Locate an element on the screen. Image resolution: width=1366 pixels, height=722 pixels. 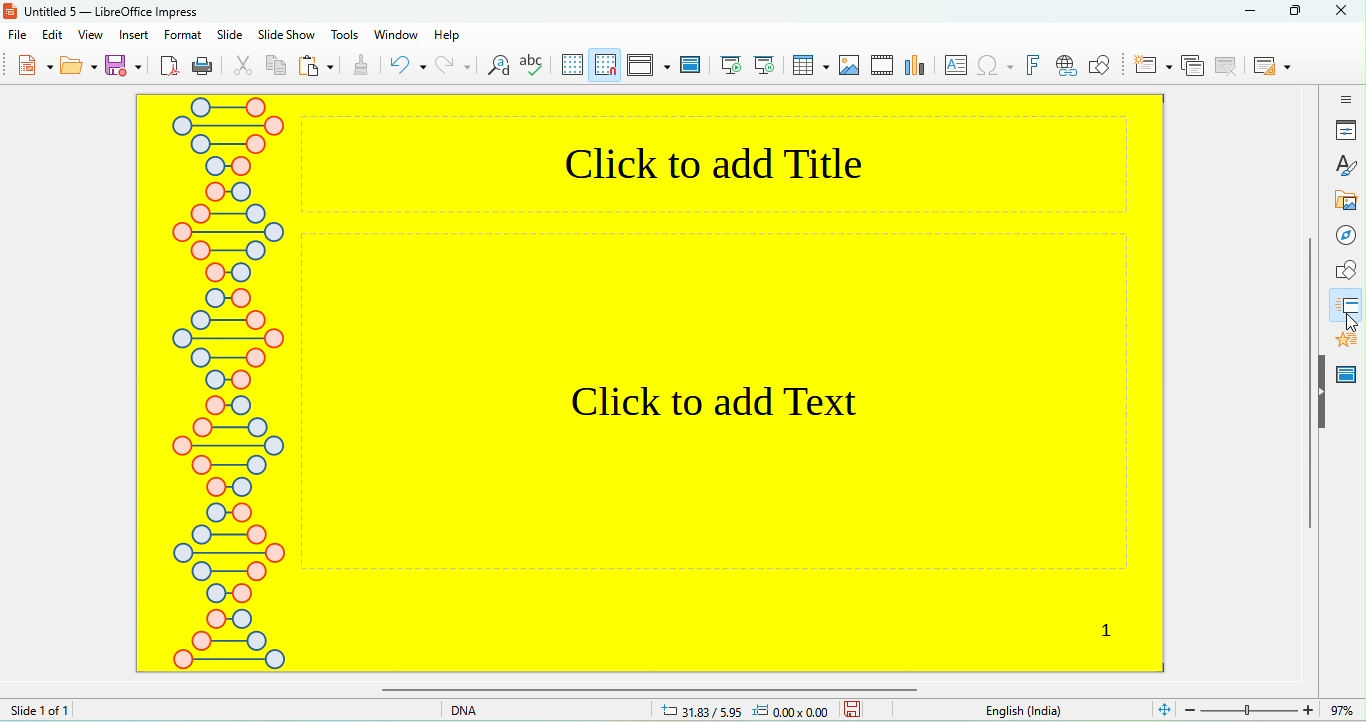
the document has not been modified since the last save is located at coordinates (869, 710).